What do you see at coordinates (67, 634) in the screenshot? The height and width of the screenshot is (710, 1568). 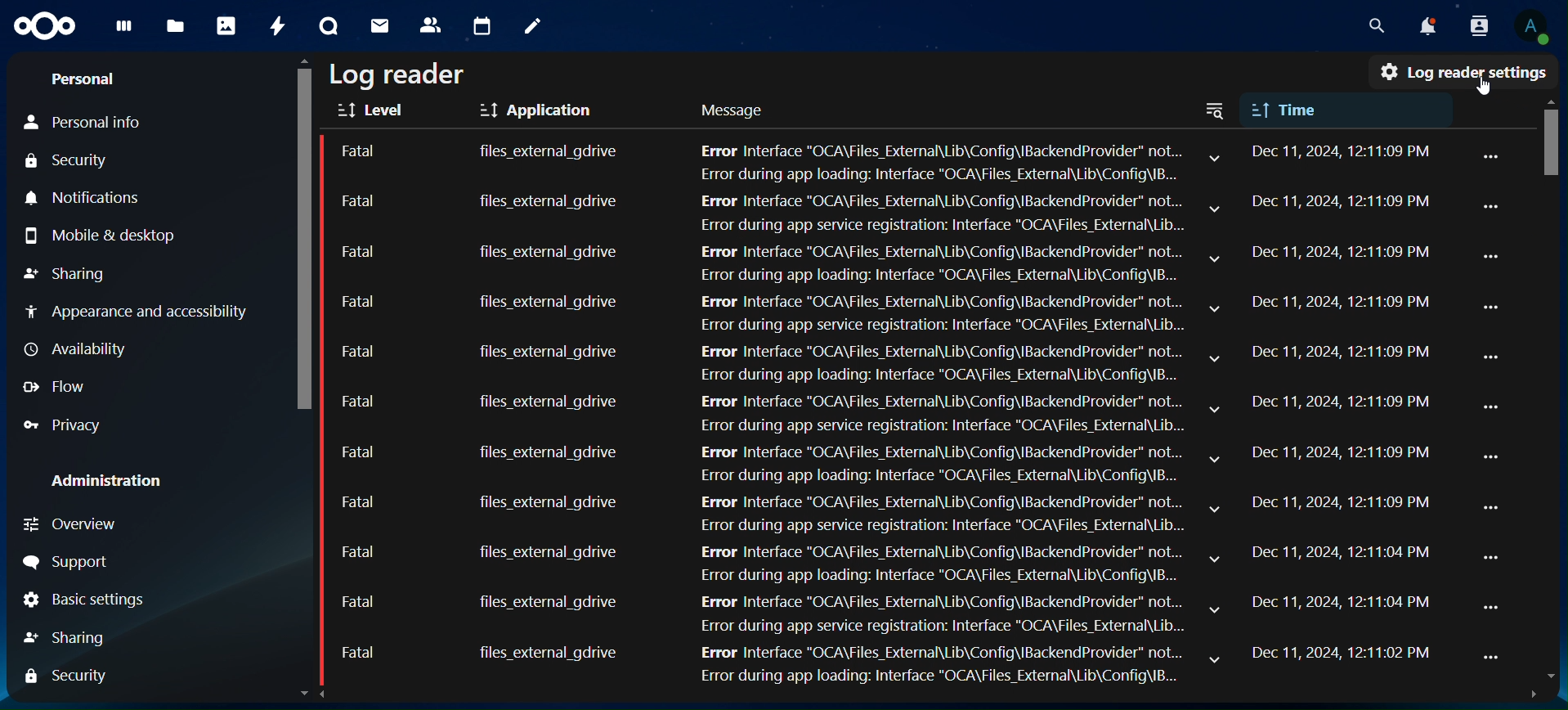 I see `shaing` at bounding box center [67, 634].